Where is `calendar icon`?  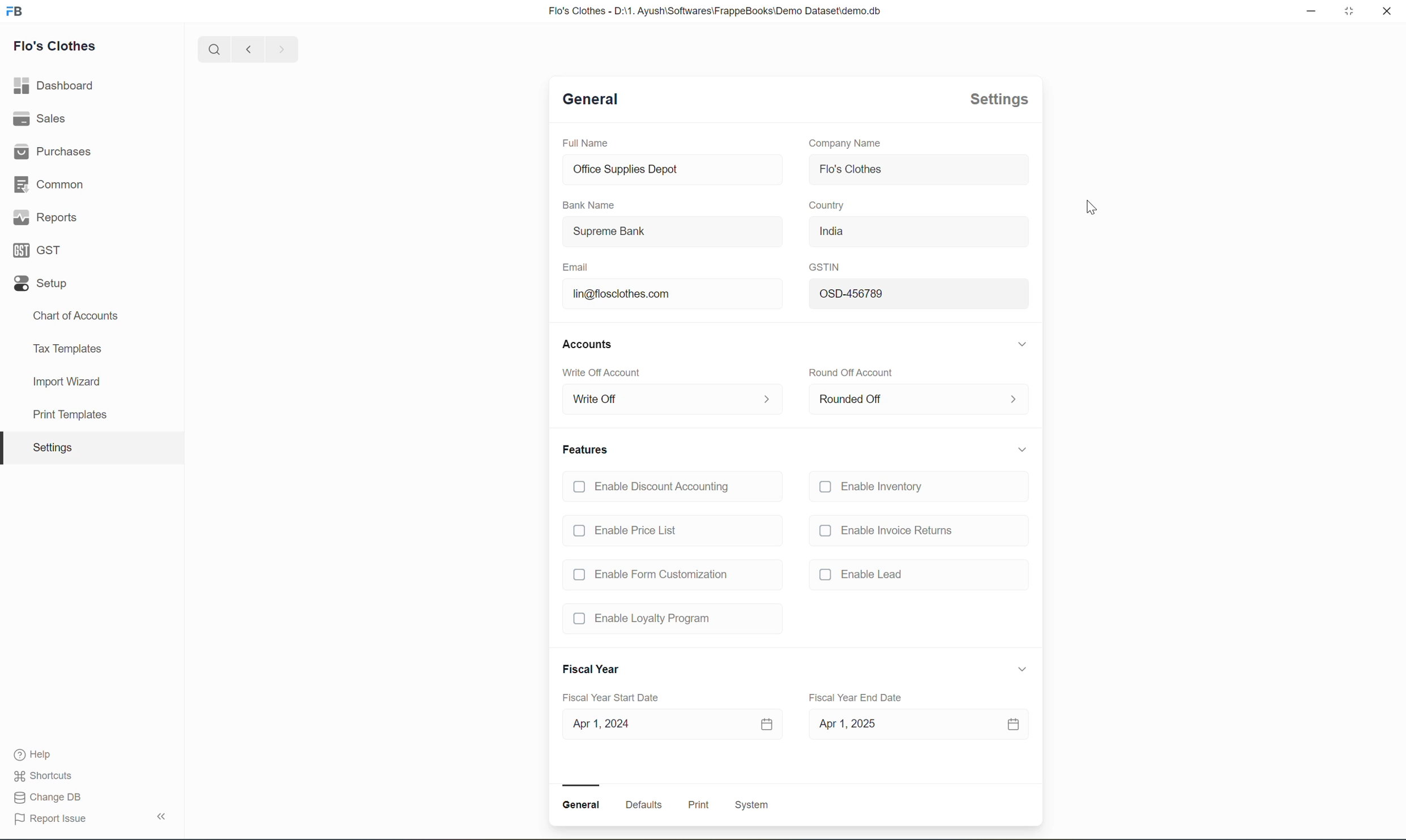 calendar icon is located at coordinates (1014, 725).